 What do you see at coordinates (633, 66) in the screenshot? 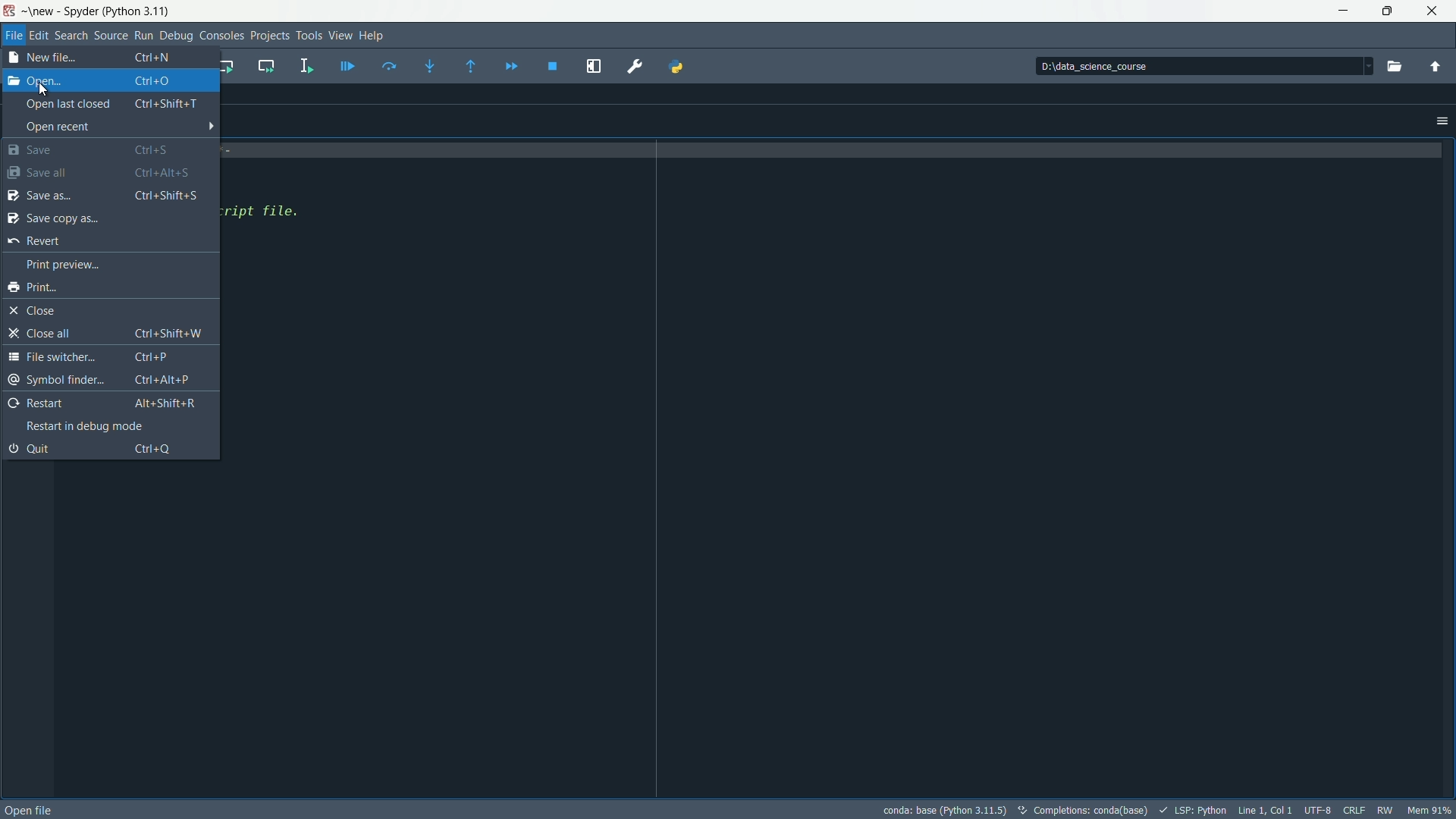
I see `preferences` at bounding box center [633, 66].